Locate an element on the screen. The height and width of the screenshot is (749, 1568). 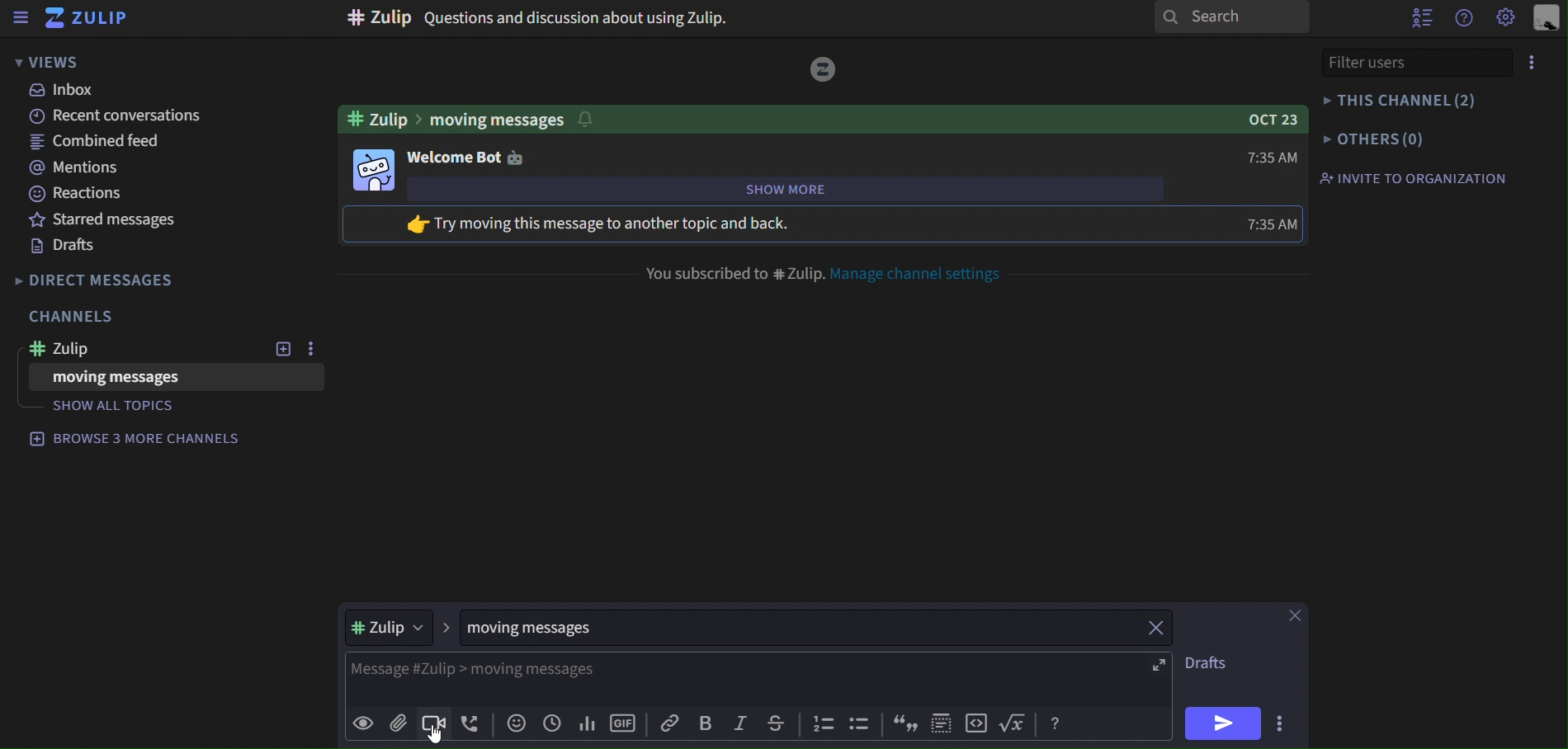
inbox is located at coordinates (68, 92).